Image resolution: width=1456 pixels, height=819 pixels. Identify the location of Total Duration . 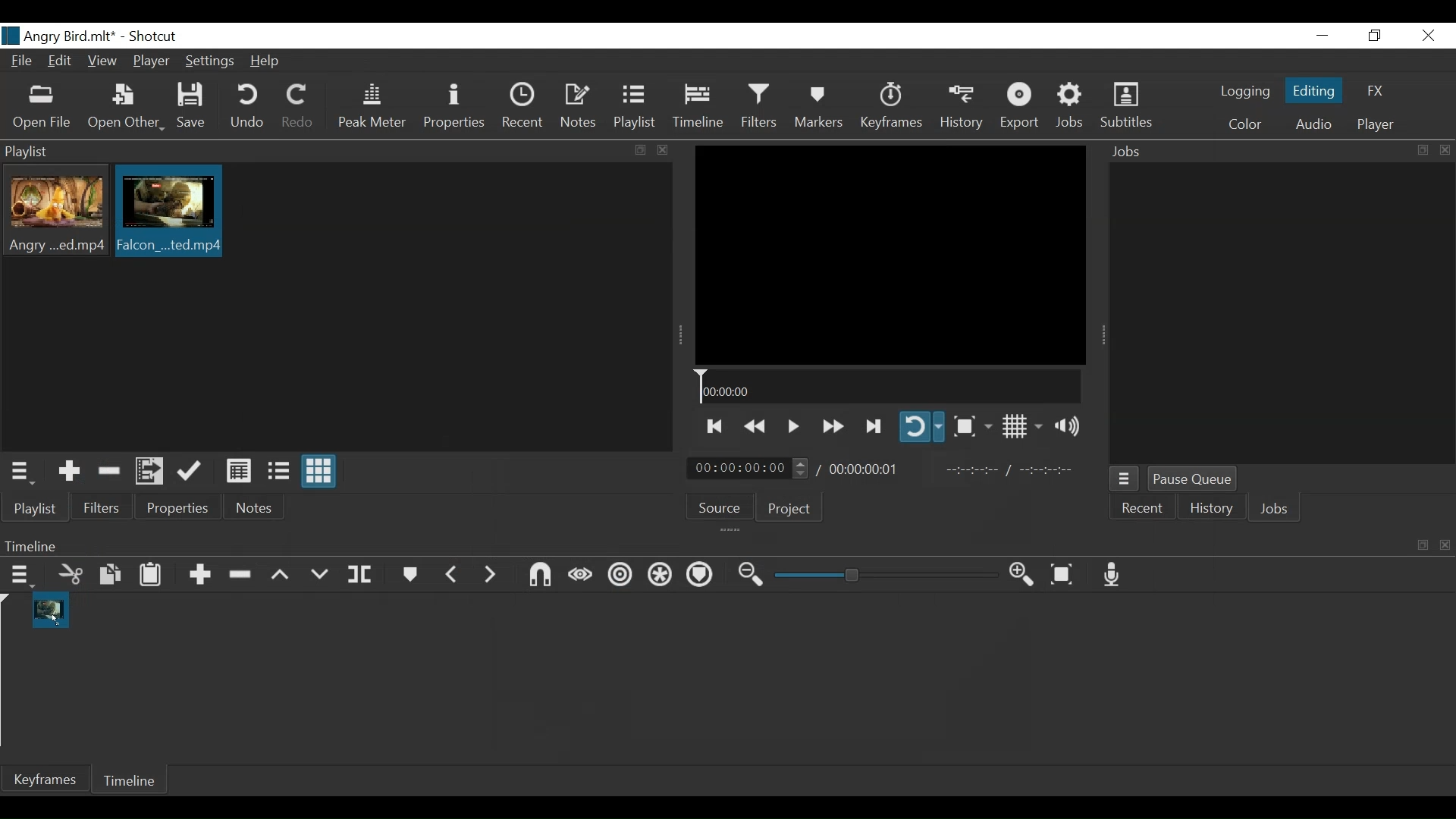
(861, 468).